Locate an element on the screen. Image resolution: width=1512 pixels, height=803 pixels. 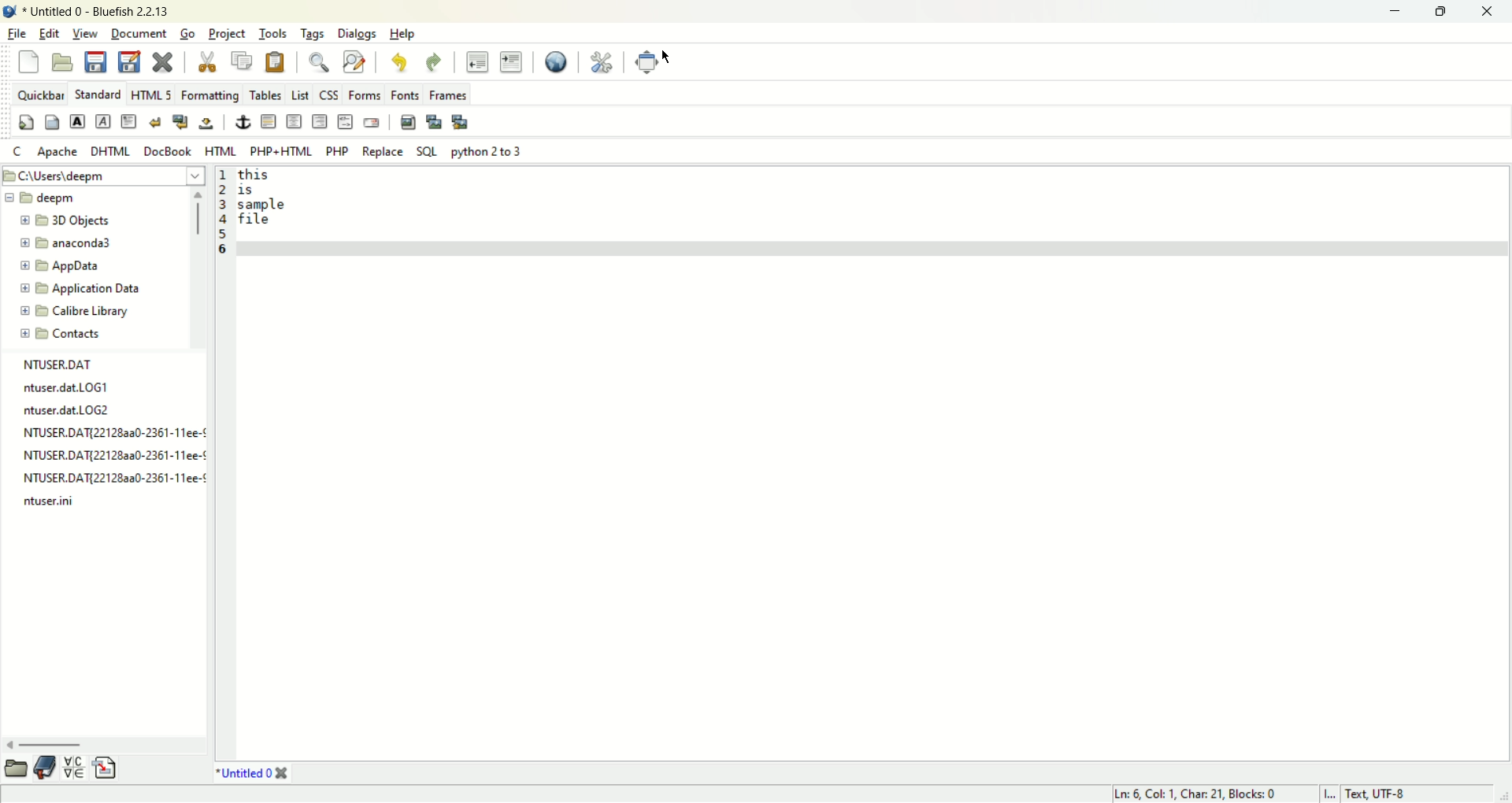
REPLACE is located at coordinates (383, 151).